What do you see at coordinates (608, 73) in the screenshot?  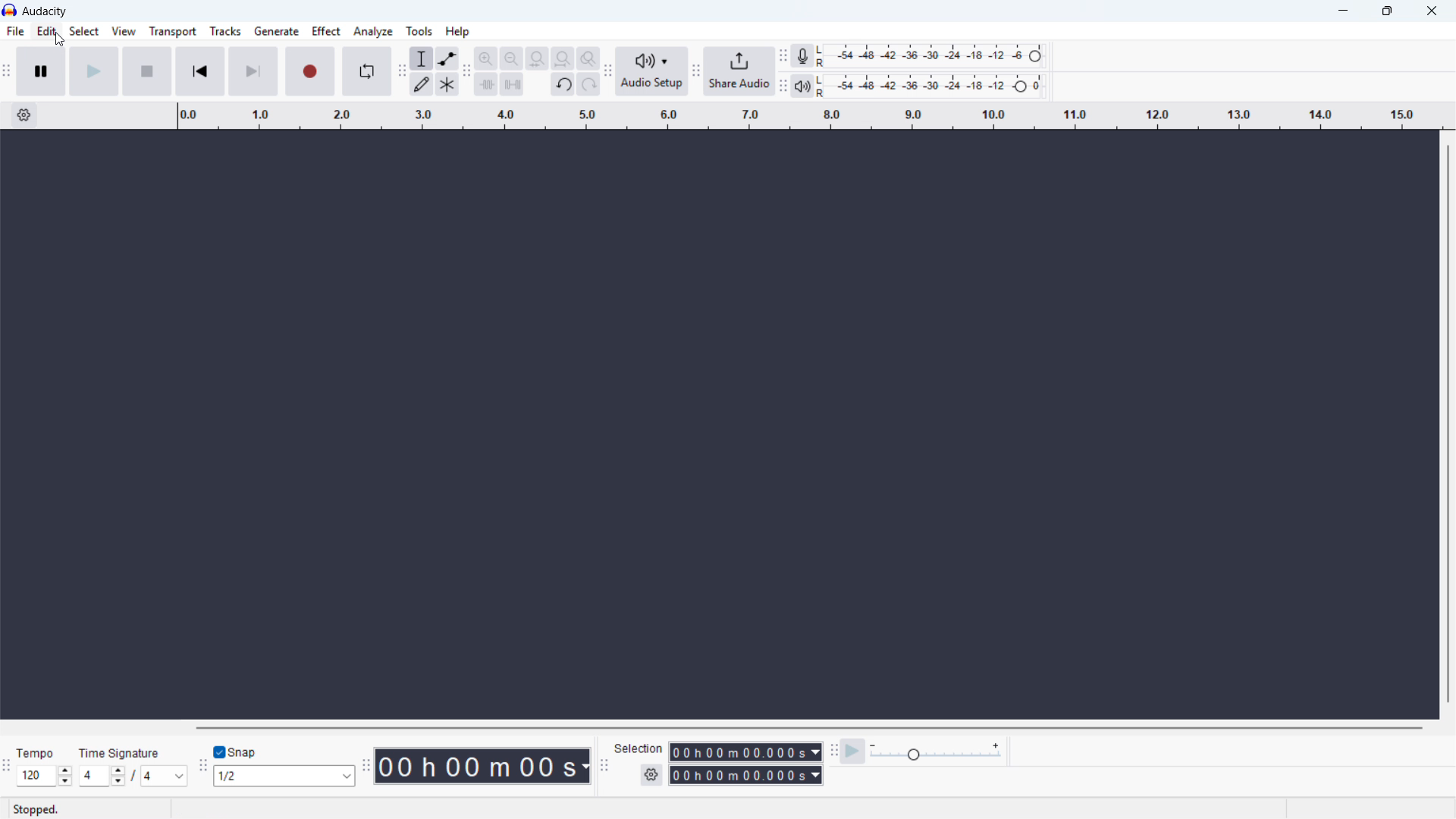 I see `audio setup toolbar` at bounding box center [608, 73].